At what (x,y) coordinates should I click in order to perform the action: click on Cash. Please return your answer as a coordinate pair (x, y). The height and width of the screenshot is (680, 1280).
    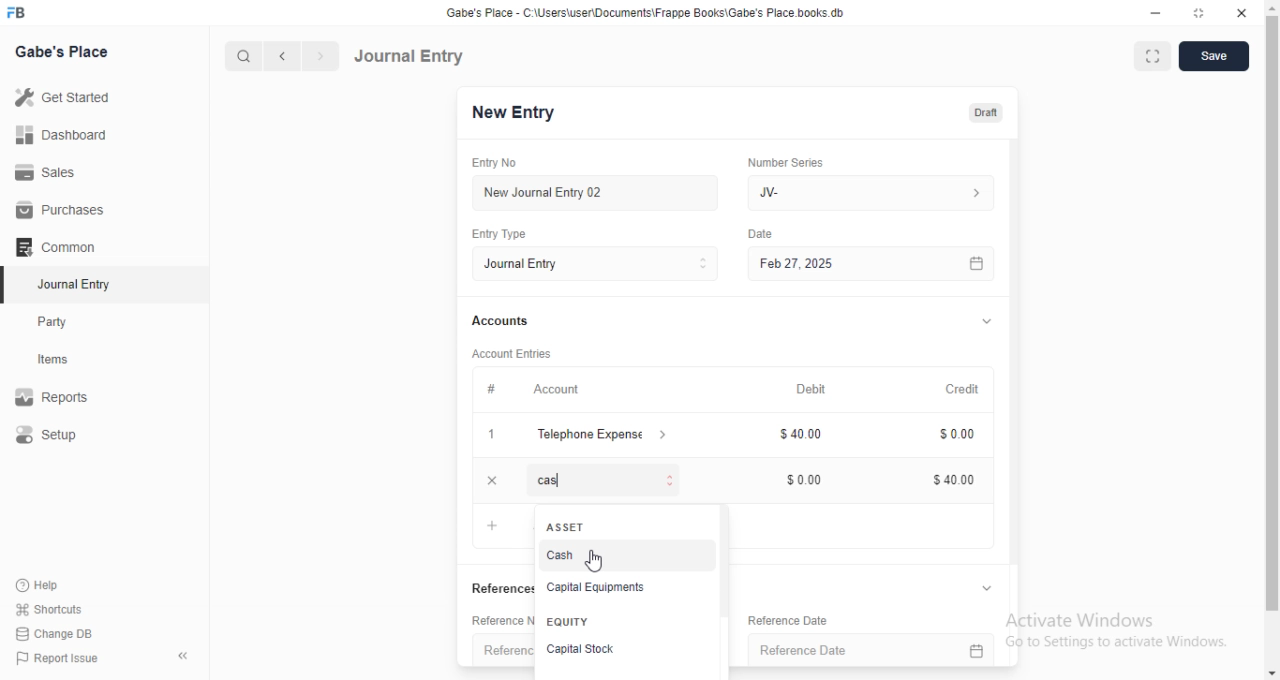
    Looking at the image, I should click on (563, 554).